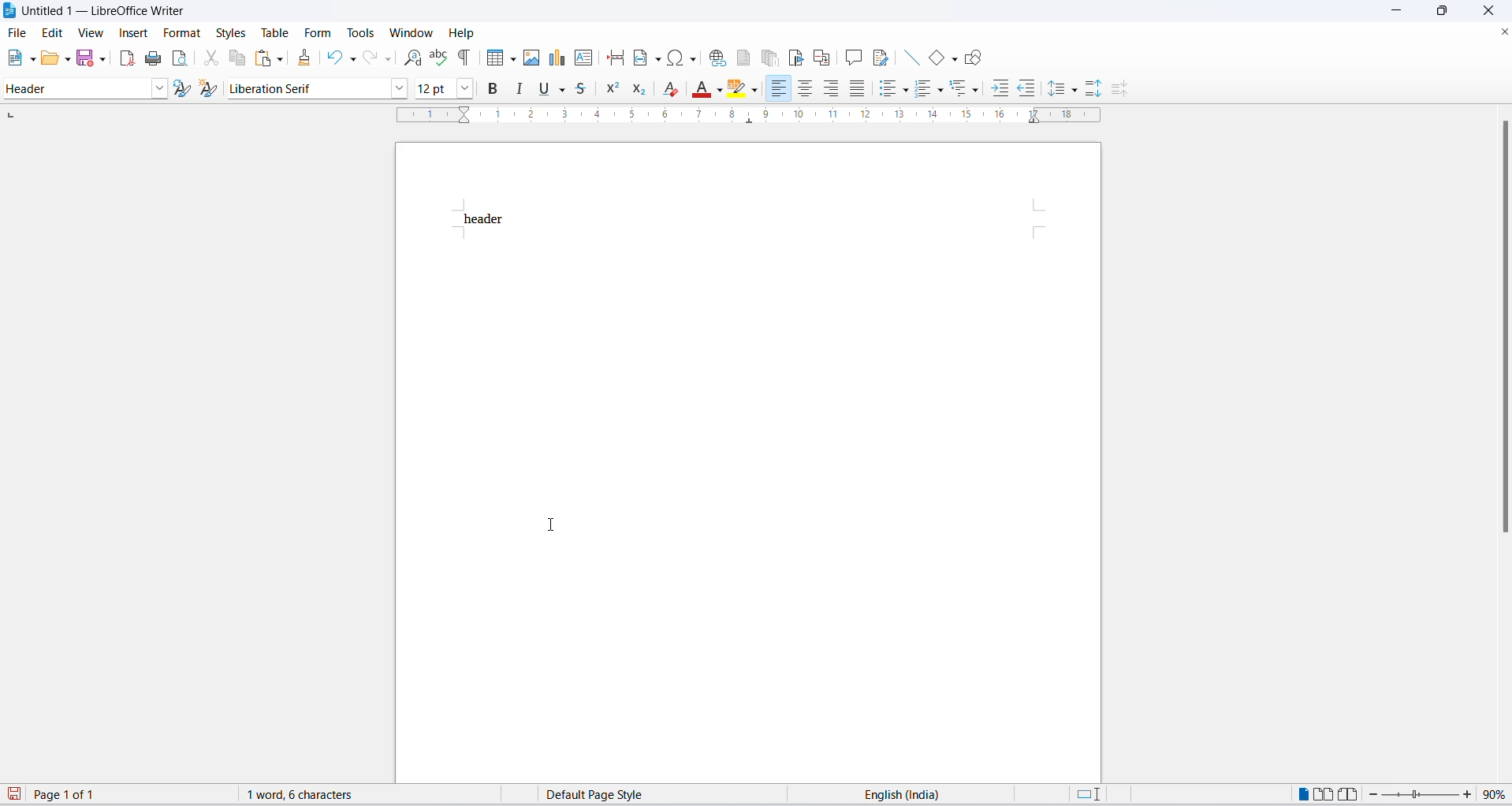 Image resolution: width=1512 pixels, height=806 pixels. What do you see at coordinates (91, 32) in the screenshot?
I see `view` at bounding box center [91, 32].